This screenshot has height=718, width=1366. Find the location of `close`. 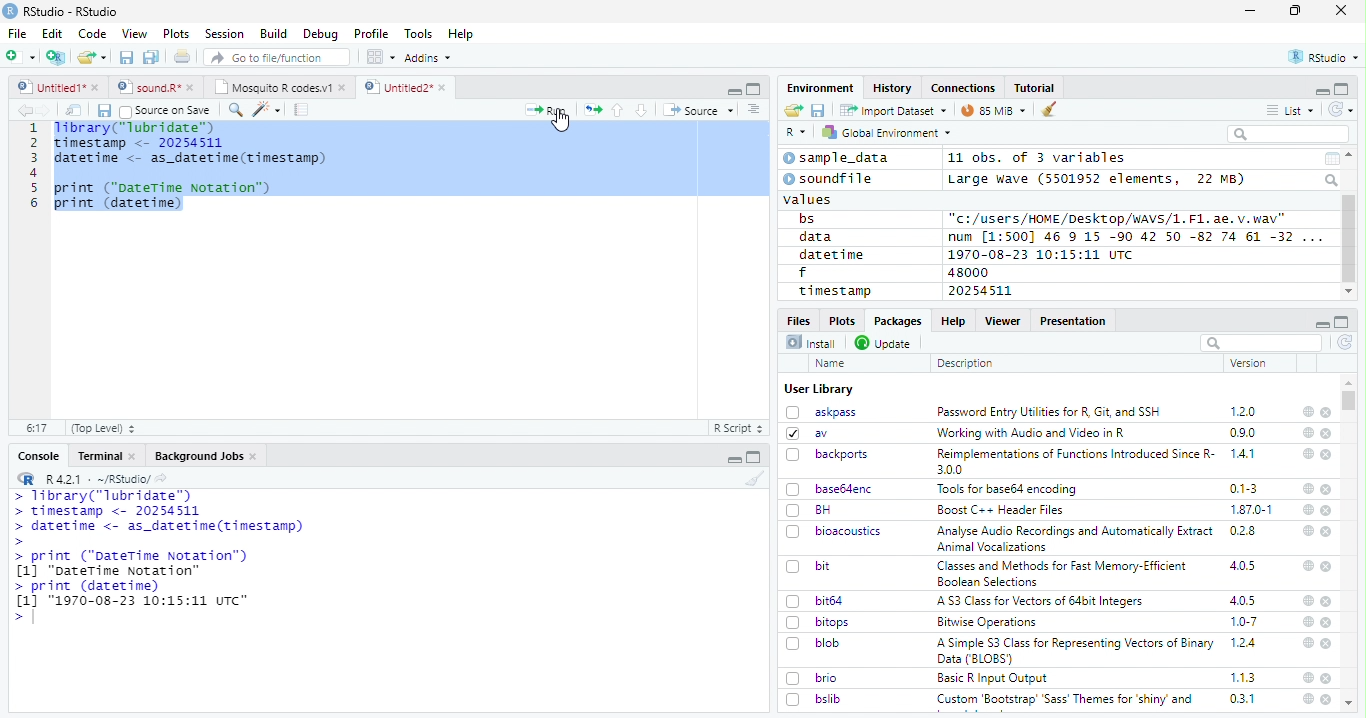

close is located at coordinates (1326, 699).